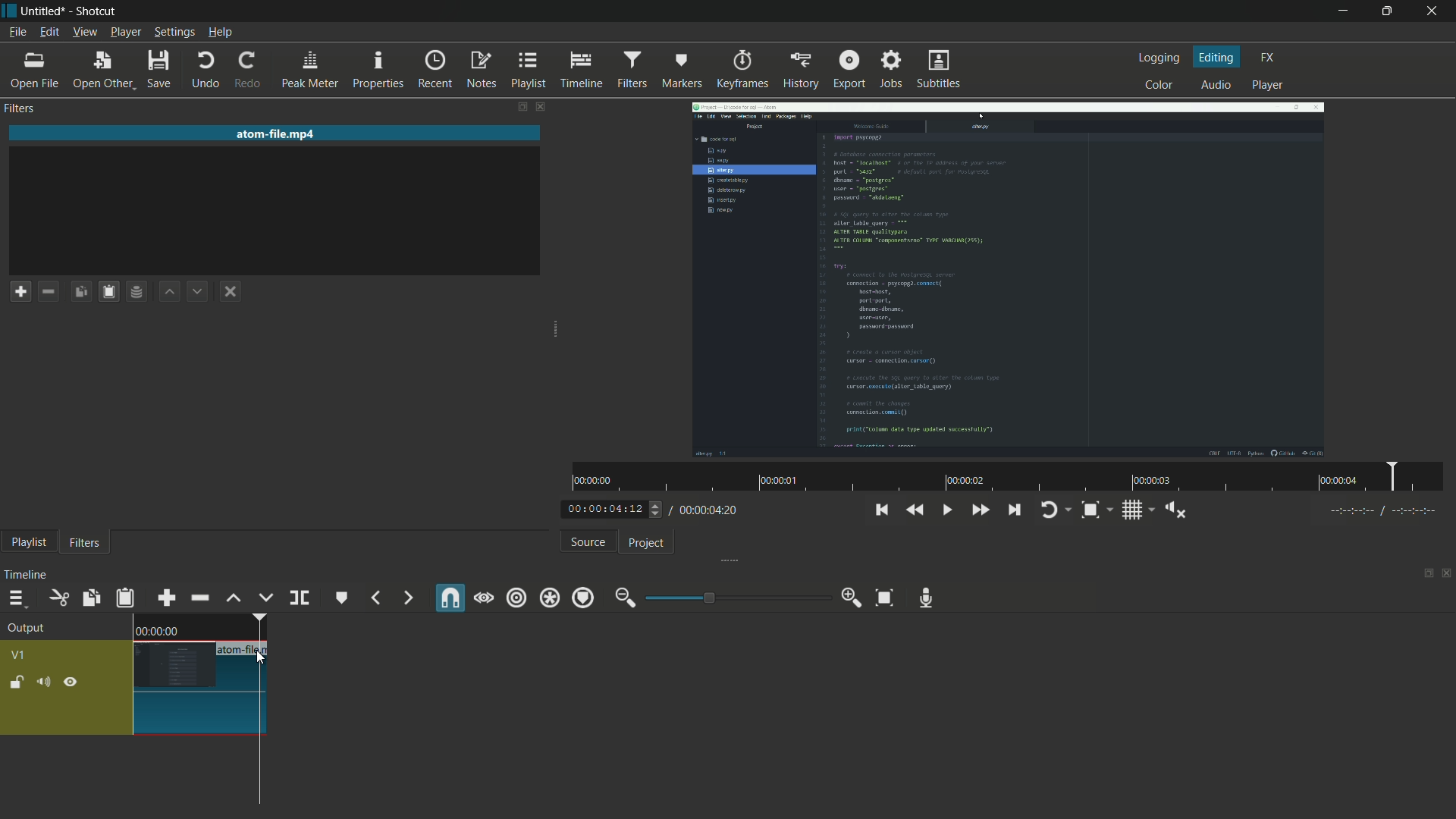  What do you see at coordinates (198, 293) in the screenshot?
I see `move filter down` at bounding box center [198, 293].